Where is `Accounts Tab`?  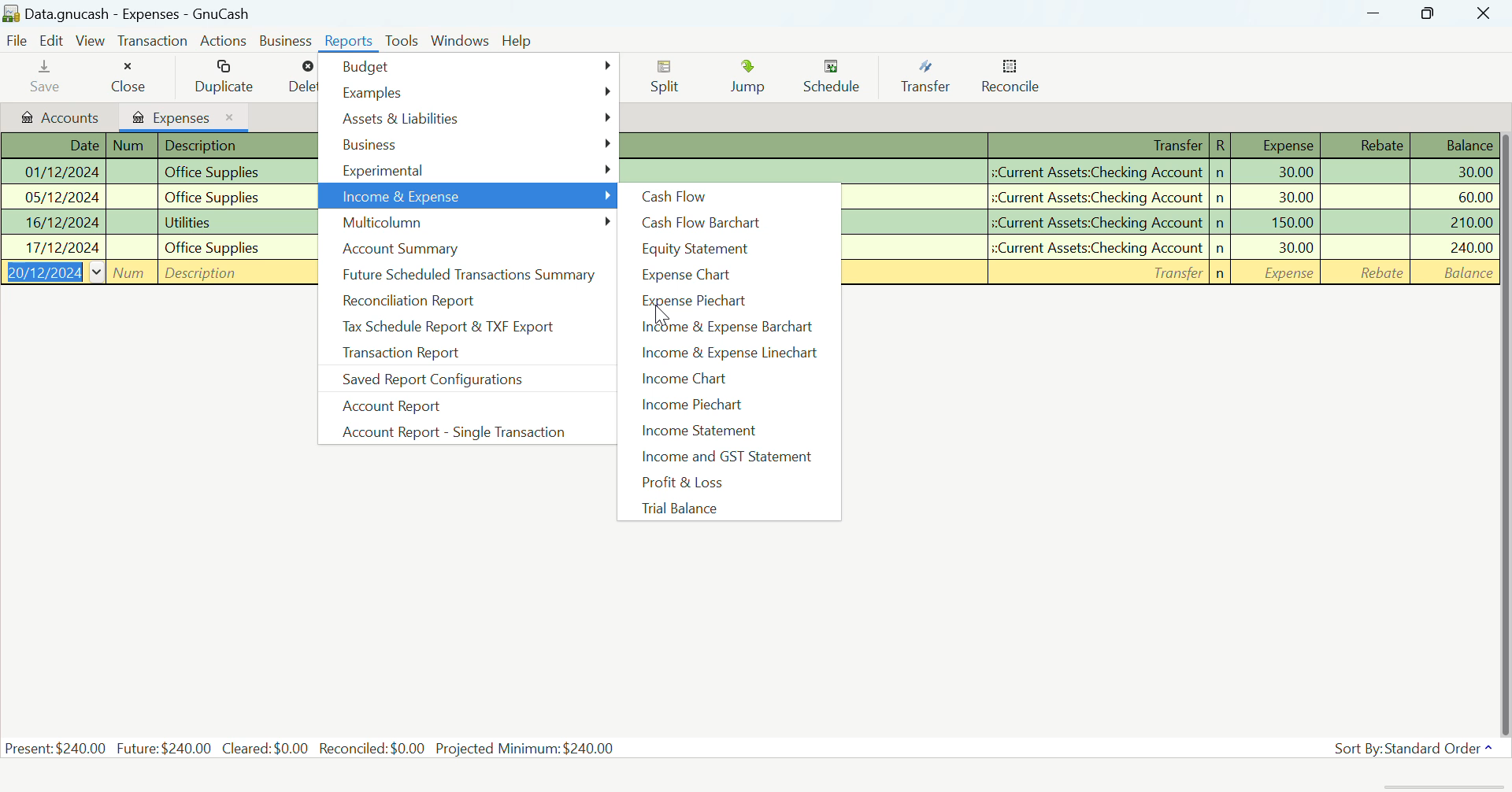 Accounts Tab is located at coordinates (60, 119).